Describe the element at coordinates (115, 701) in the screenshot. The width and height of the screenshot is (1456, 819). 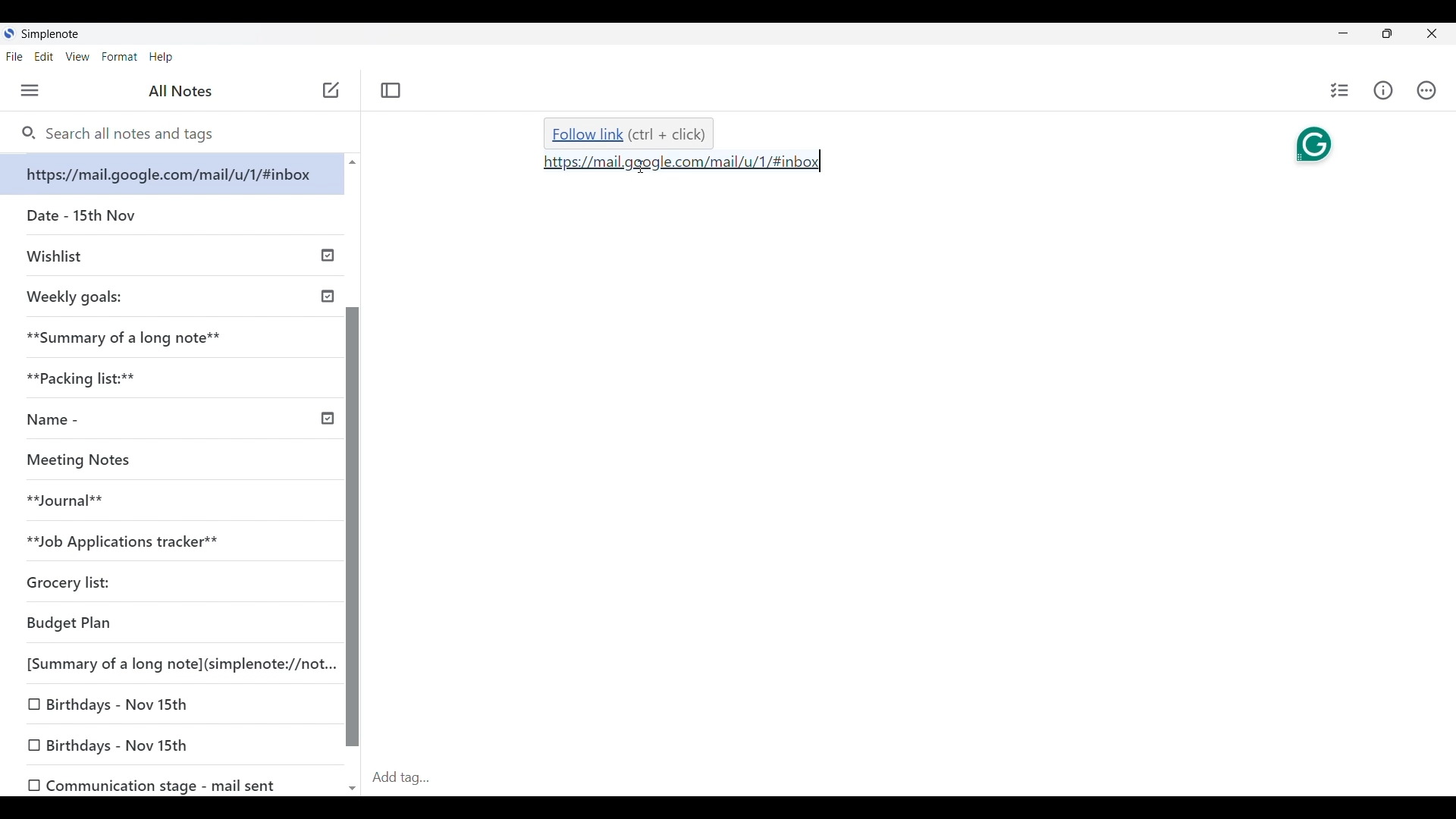
I see `O Birthdays - Nov 15th` at that location.